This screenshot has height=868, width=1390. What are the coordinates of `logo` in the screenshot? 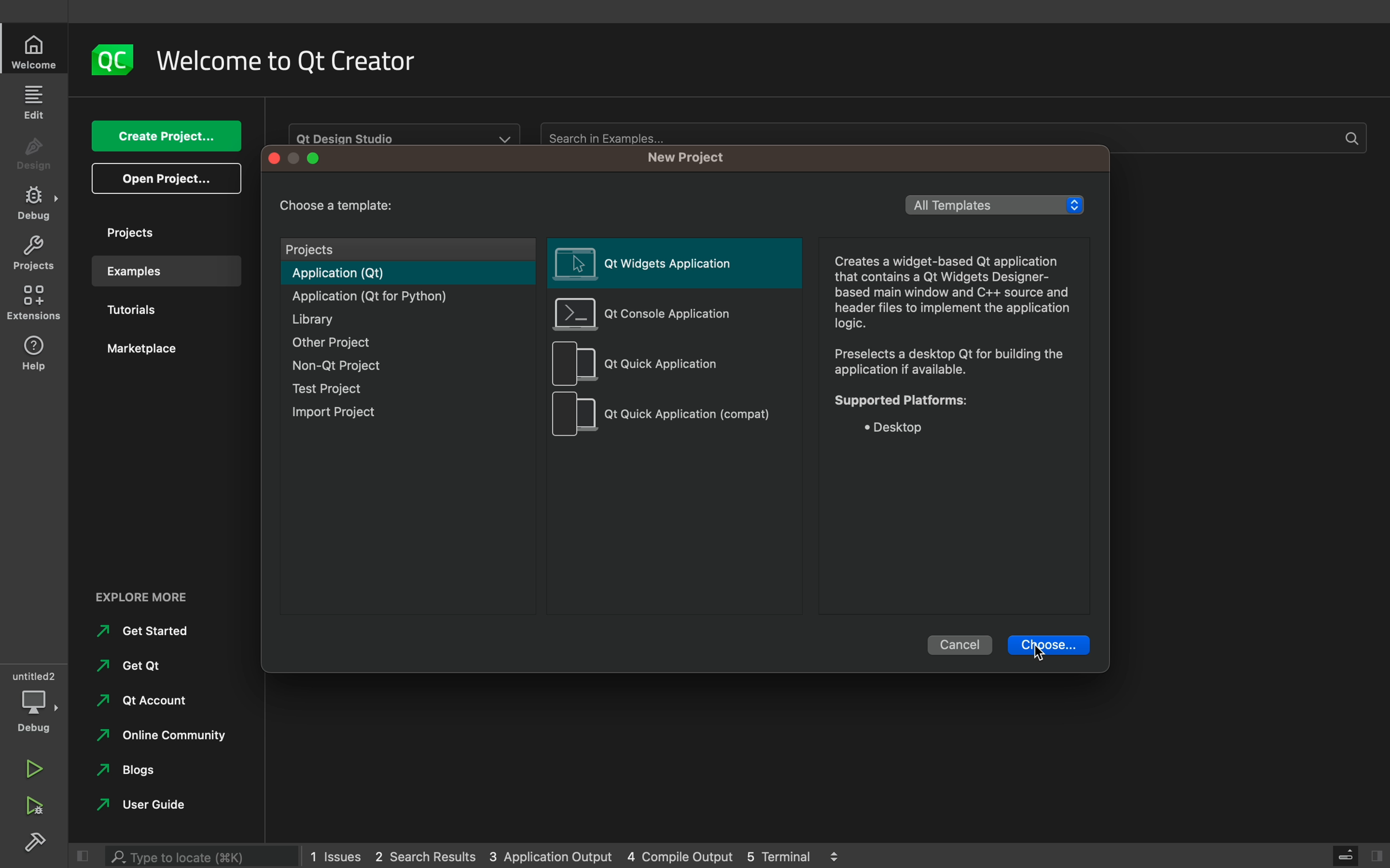 It's located at (114, 60).